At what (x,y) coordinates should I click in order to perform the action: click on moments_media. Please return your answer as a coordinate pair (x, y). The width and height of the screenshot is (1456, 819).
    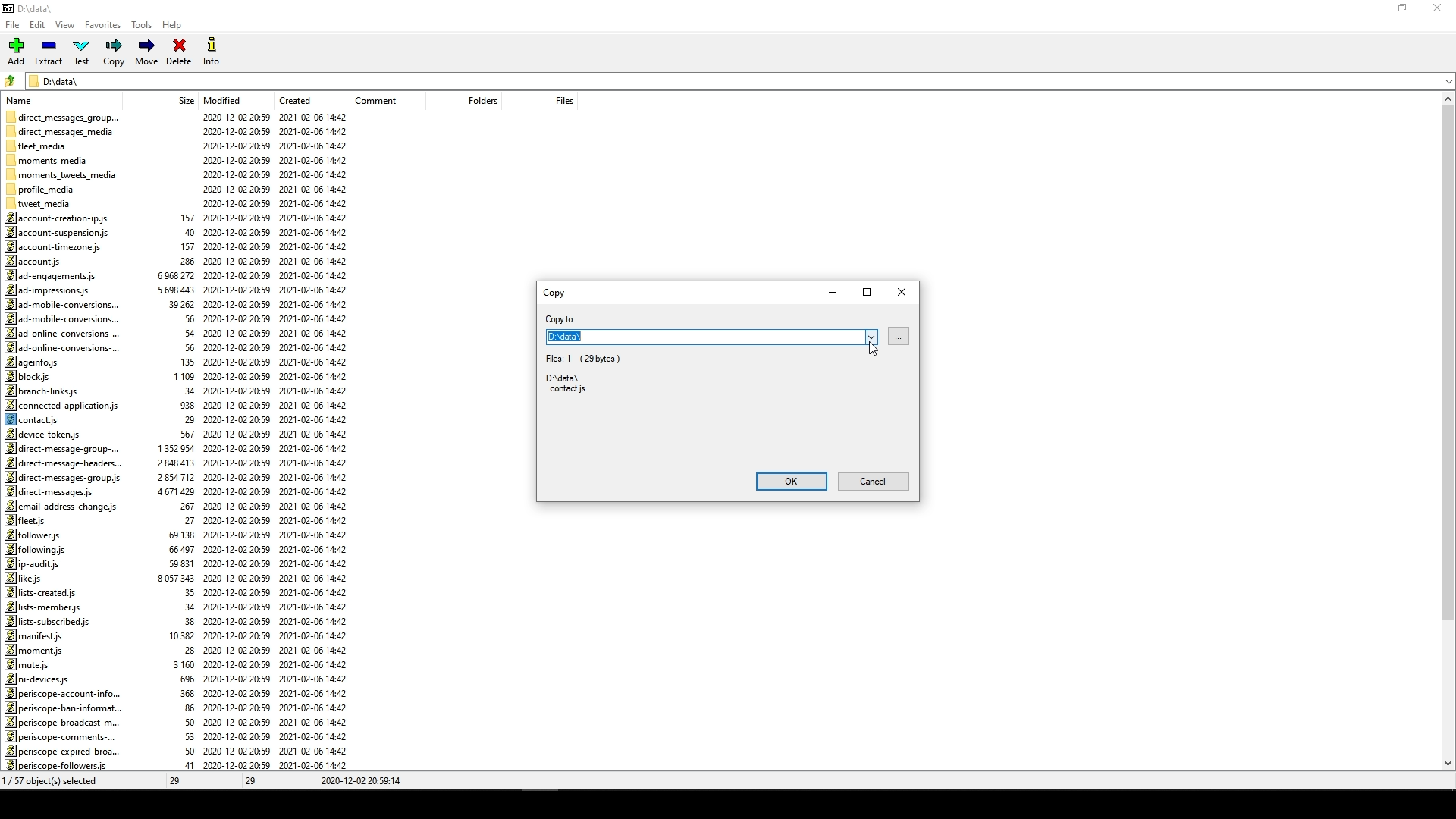
    Looking at the image, I should click on (52, 158).